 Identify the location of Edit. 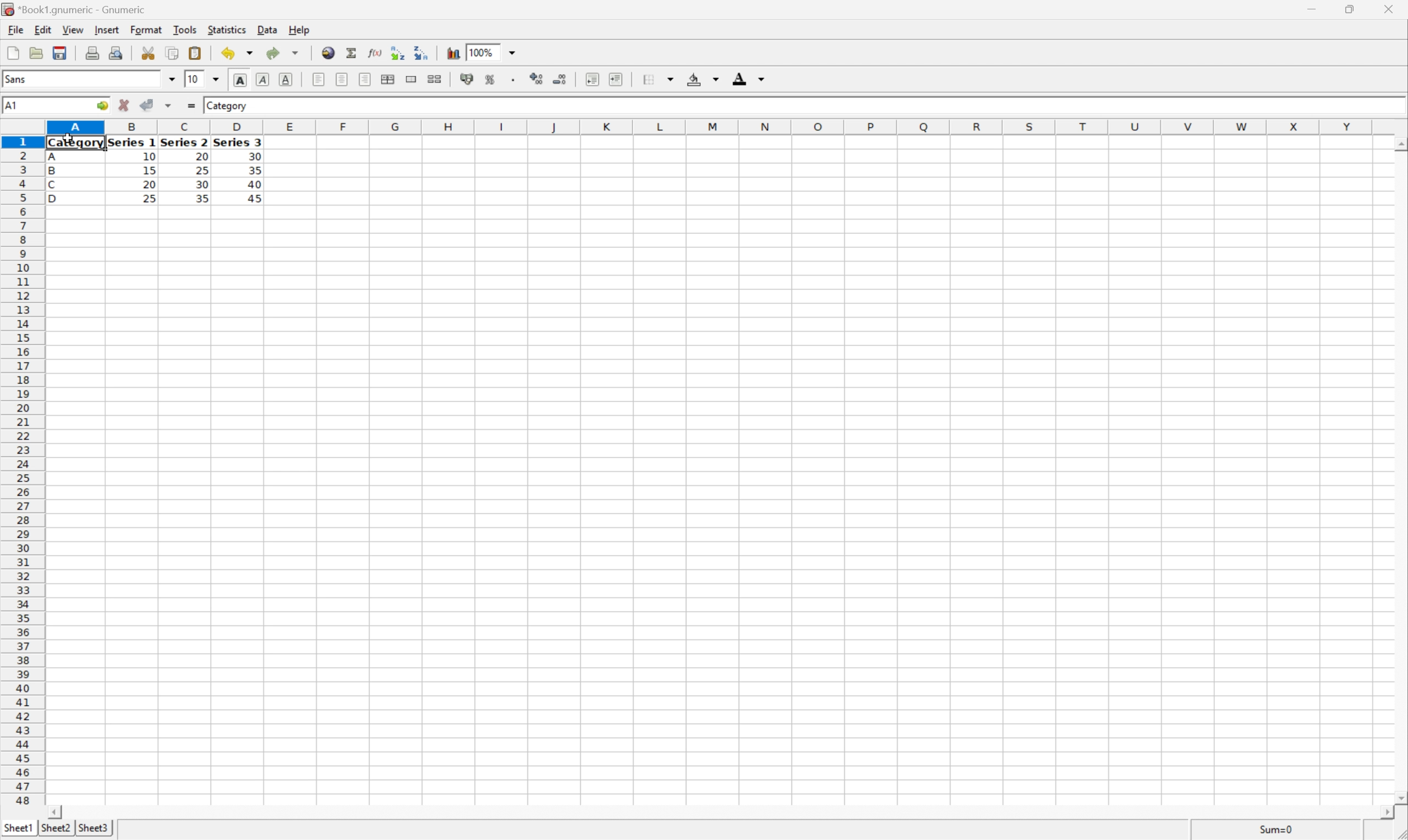
(43, 29).